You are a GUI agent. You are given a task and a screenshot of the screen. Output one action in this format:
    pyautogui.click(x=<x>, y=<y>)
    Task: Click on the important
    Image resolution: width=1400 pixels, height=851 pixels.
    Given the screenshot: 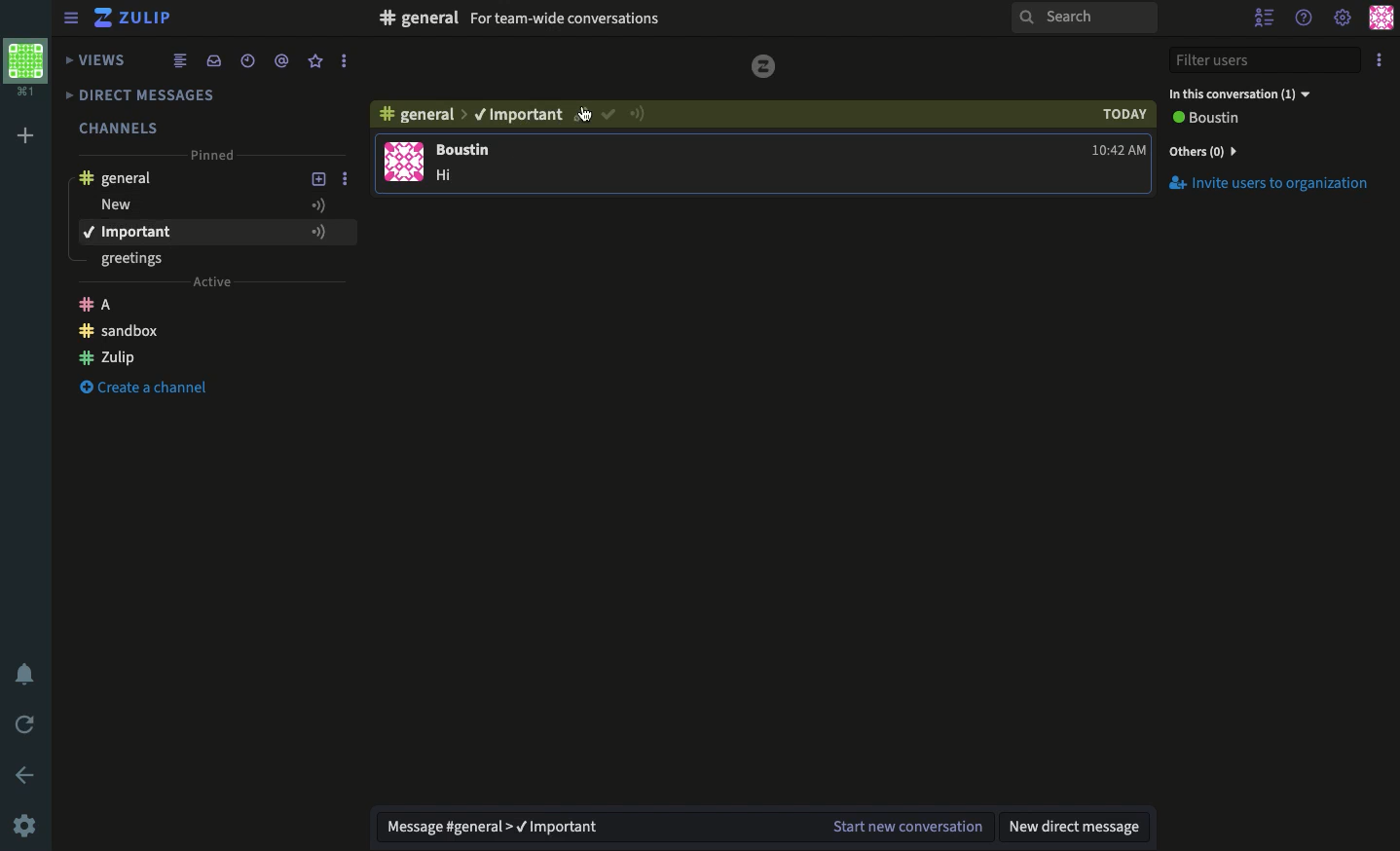 What is the action you would take?
    pyautogui.click(x=188, y=232)
    